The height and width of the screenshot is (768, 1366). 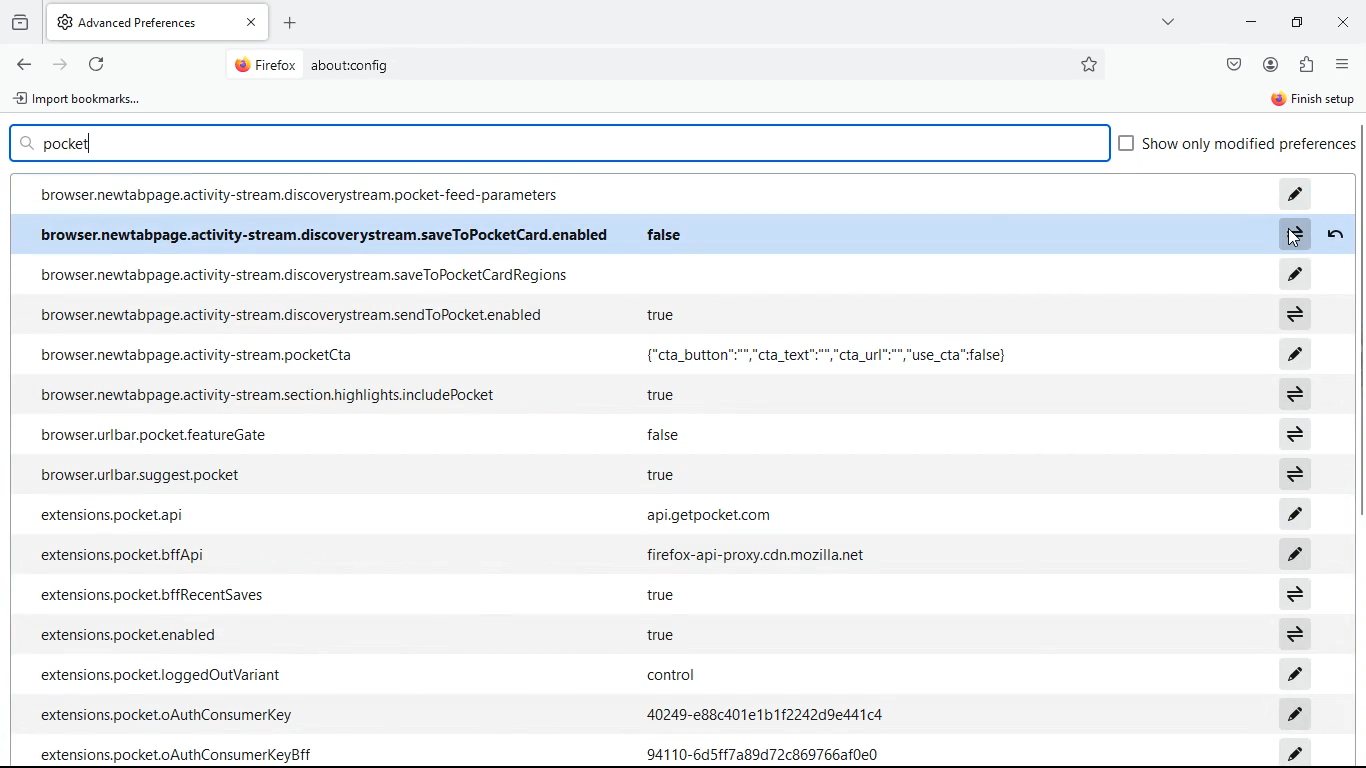 I want to click on more, so click(x=1165, y=21).